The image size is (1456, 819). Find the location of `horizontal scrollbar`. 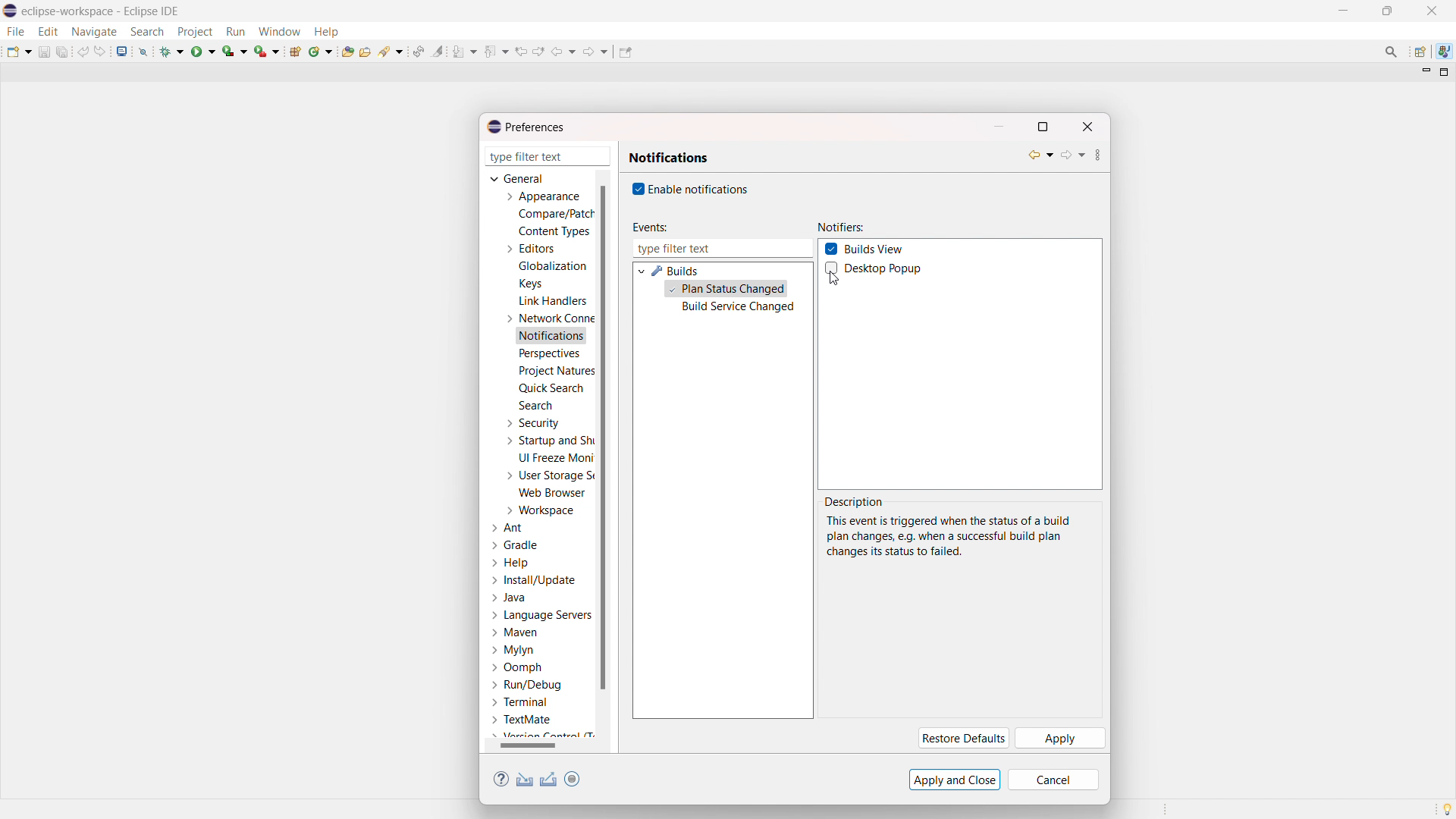

horizontal scrollbar is located at coordinates (528, 745).